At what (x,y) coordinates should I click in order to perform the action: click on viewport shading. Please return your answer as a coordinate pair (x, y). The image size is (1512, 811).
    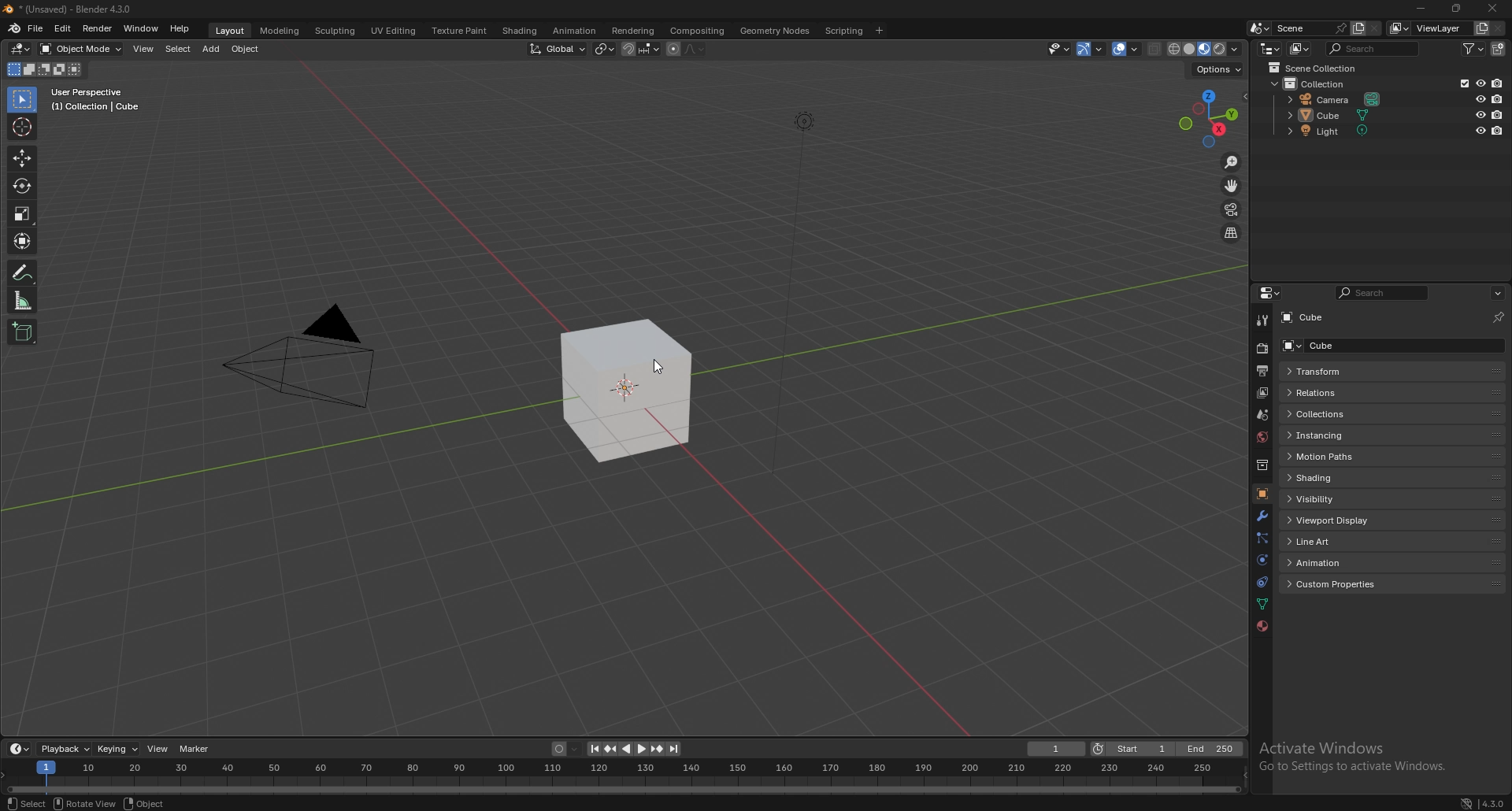
    Looking at the image, I should click on (1205, 50).